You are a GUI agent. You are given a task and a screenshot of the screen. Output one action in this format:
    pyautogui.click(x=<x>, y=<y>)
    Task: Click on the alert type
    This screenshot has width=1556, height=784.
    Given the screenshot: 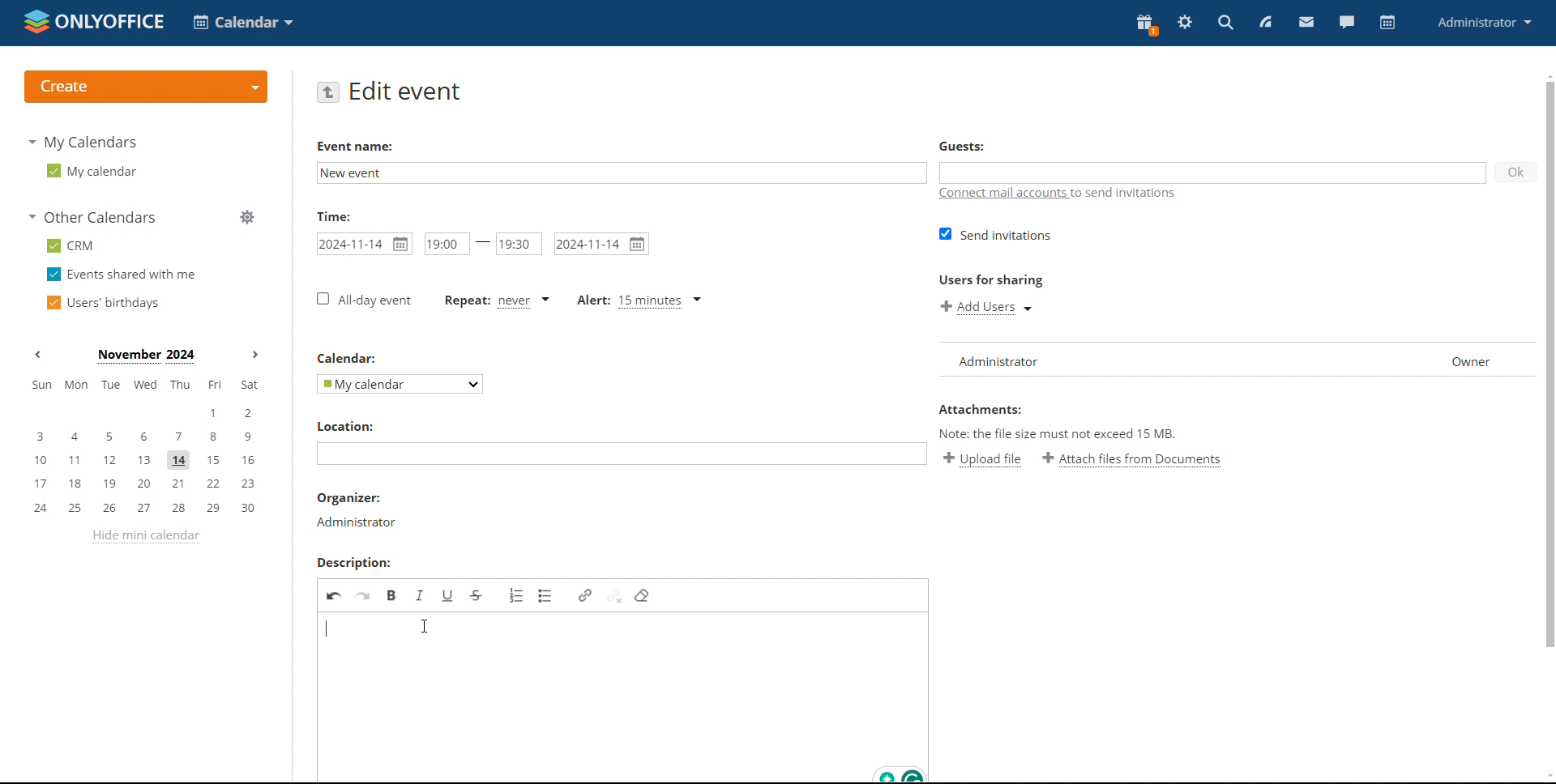 What is the action you would take?
    pyautogui.click(x=639, y=301)
    